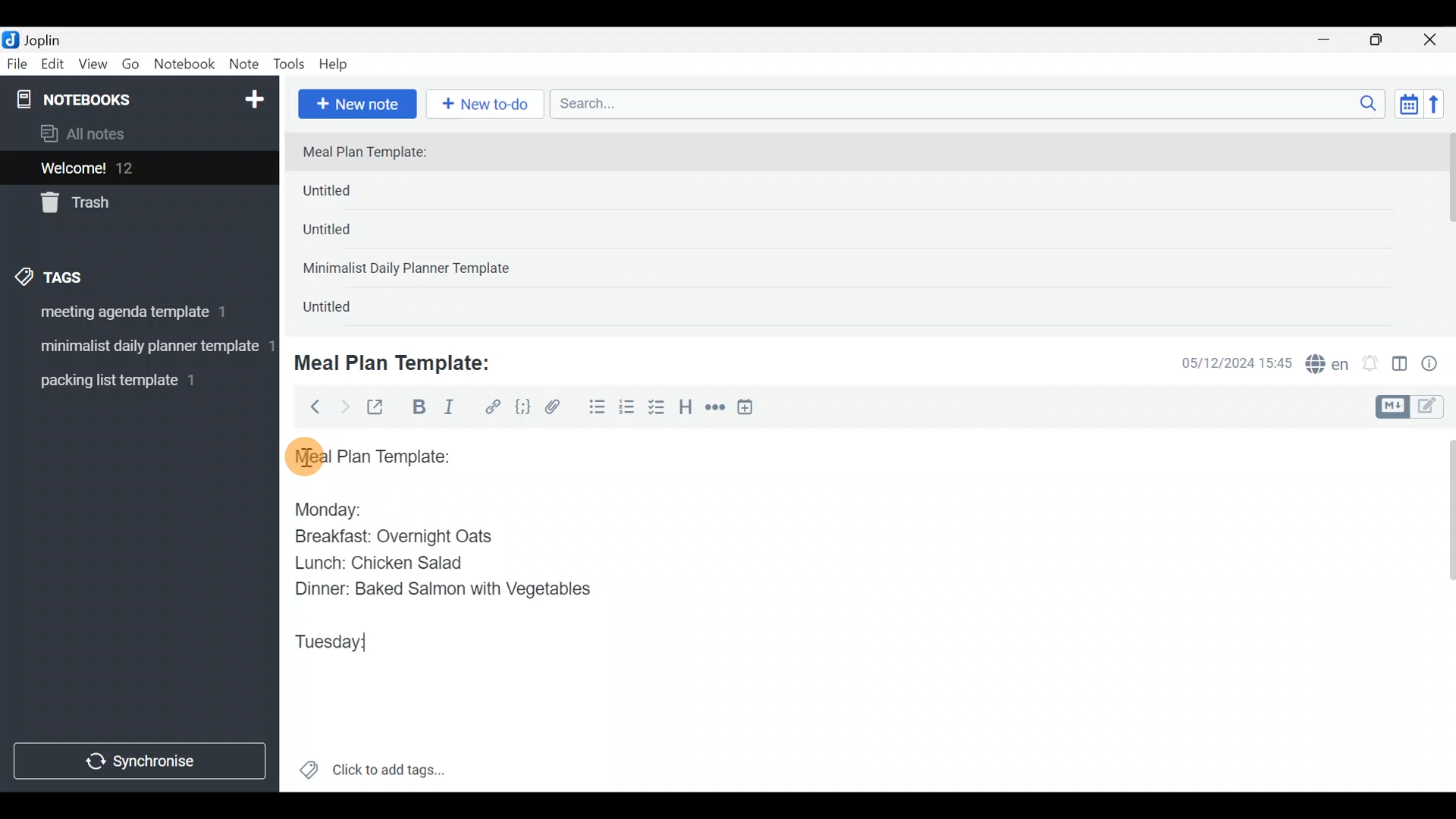 The image size is (1456, 819). Describe the element at coordinates (715, 409) in the screenshot. I see `Horizontal rule` at that location.